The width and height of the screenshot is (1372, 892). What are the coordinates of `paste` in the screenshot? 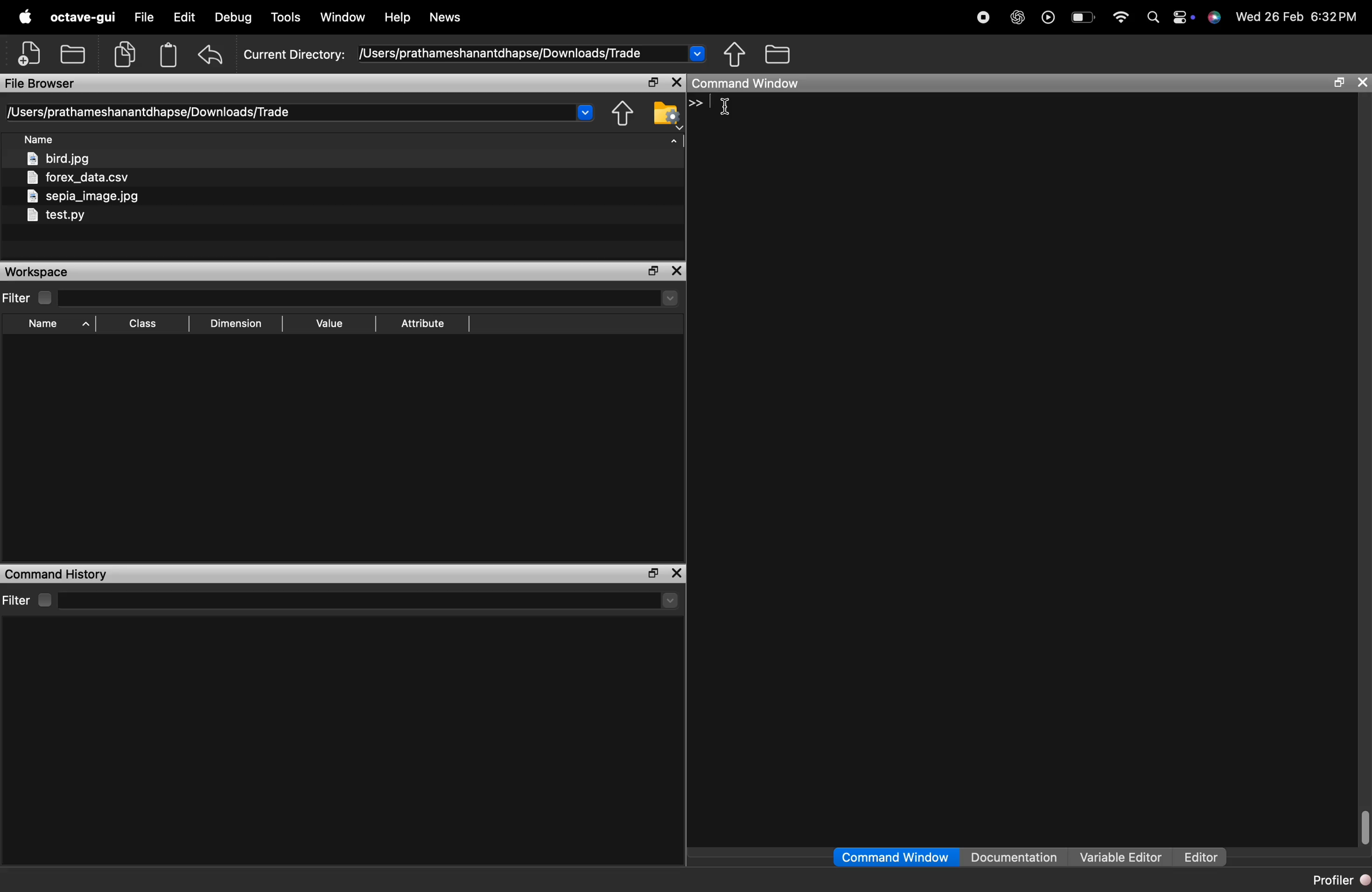 It's located at (169, 54).